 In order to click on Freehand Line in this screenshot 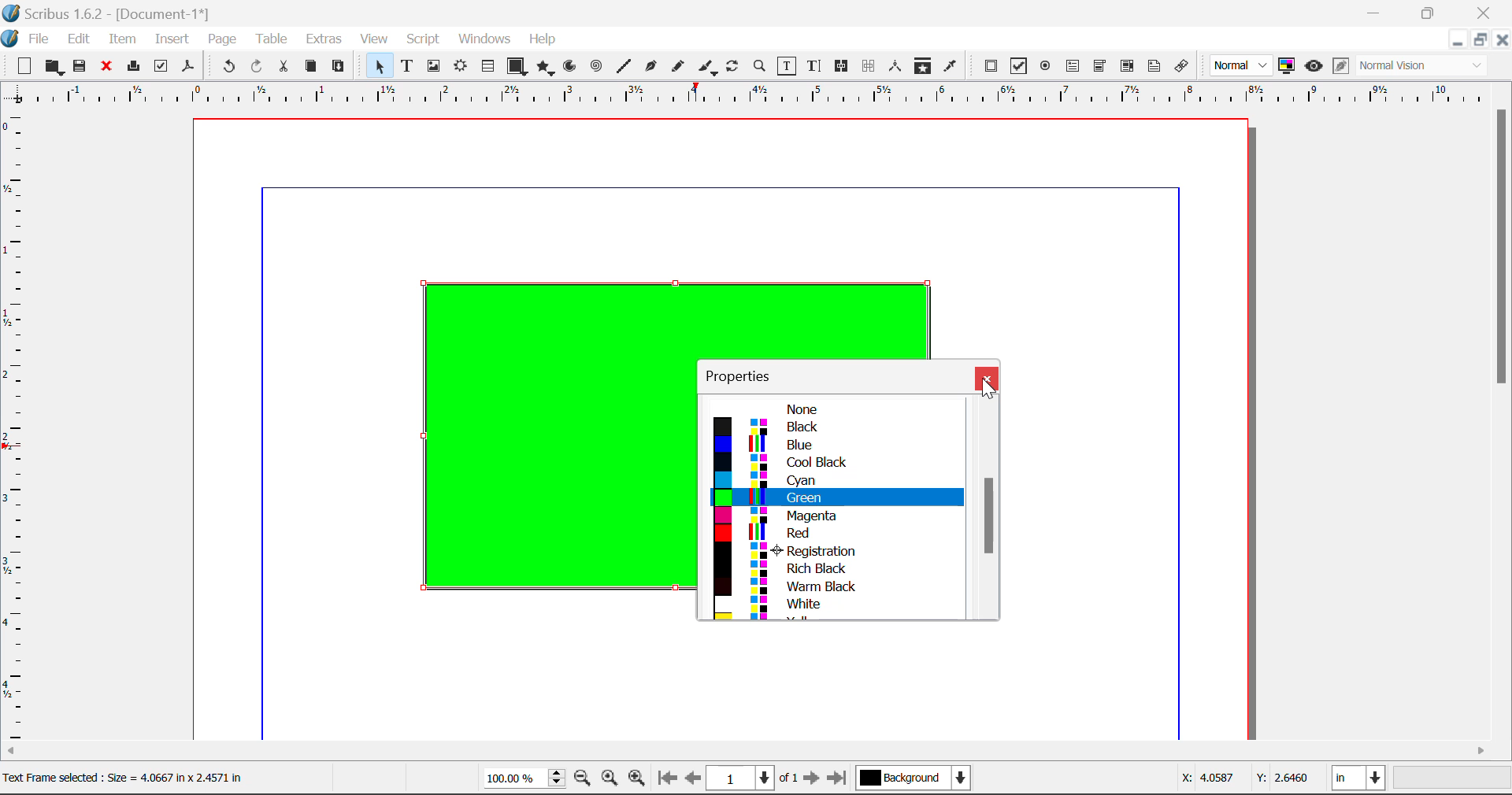, I will do `click(676, 67)`.